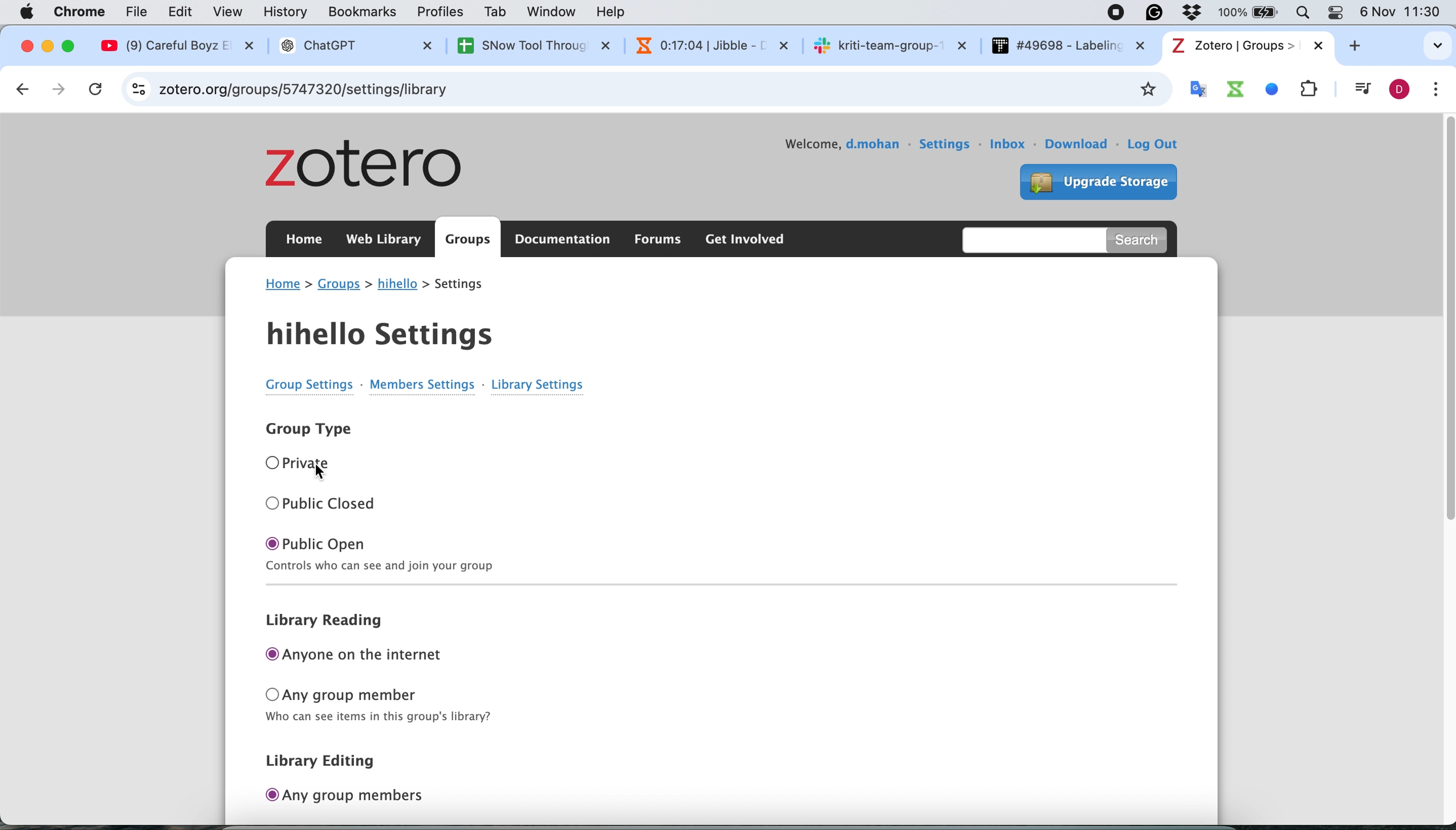 The height and width of the screenshot is (830, 1456). Describe the element at coordinates (889, 44) in the screenshot. I see `sk kriti-team-group-~  X` at that location.